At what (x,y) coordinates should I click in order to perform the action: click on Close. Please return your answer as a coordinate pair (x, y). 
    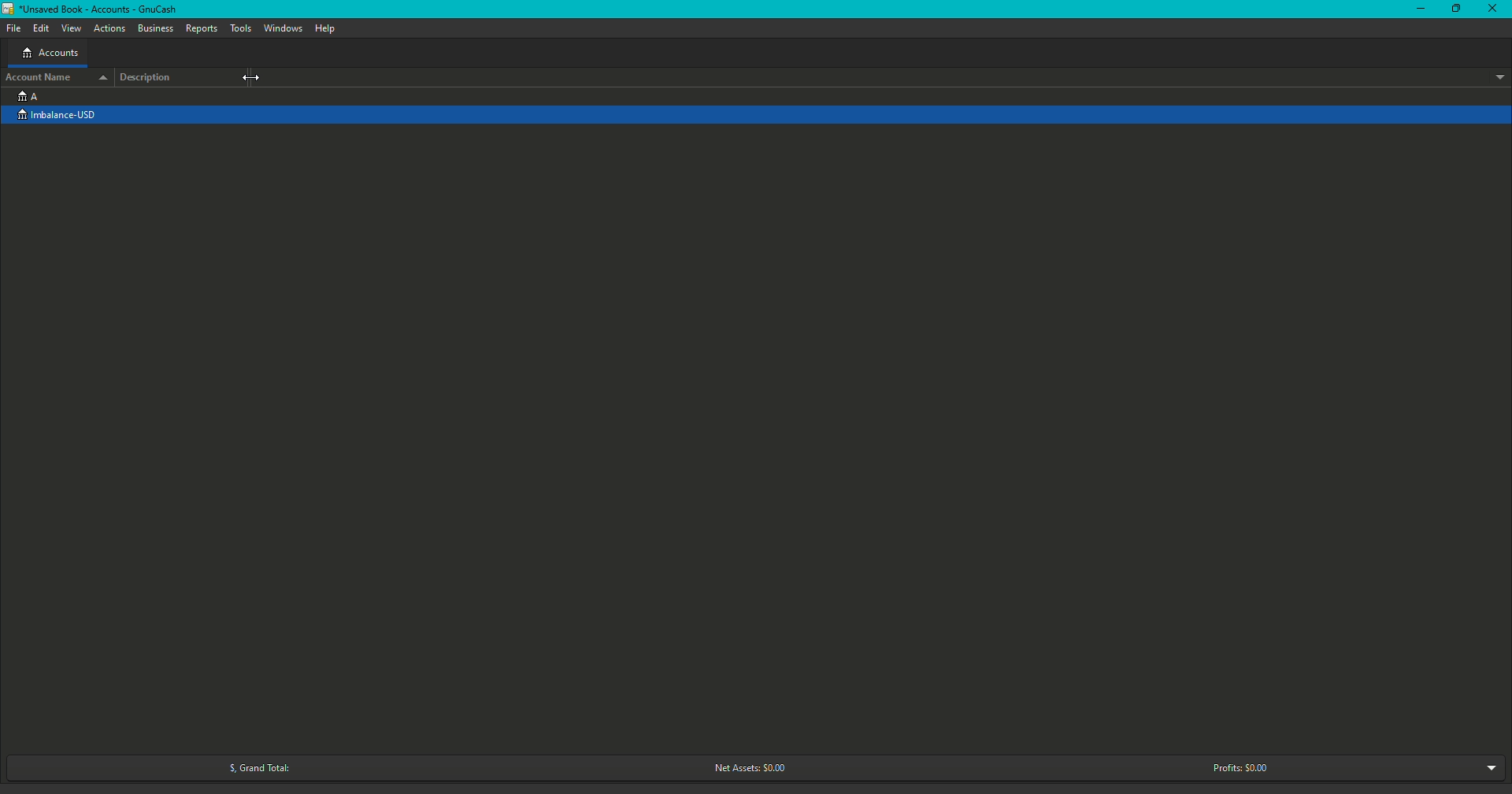
    Looking at the image, I should click on (1495, 10).